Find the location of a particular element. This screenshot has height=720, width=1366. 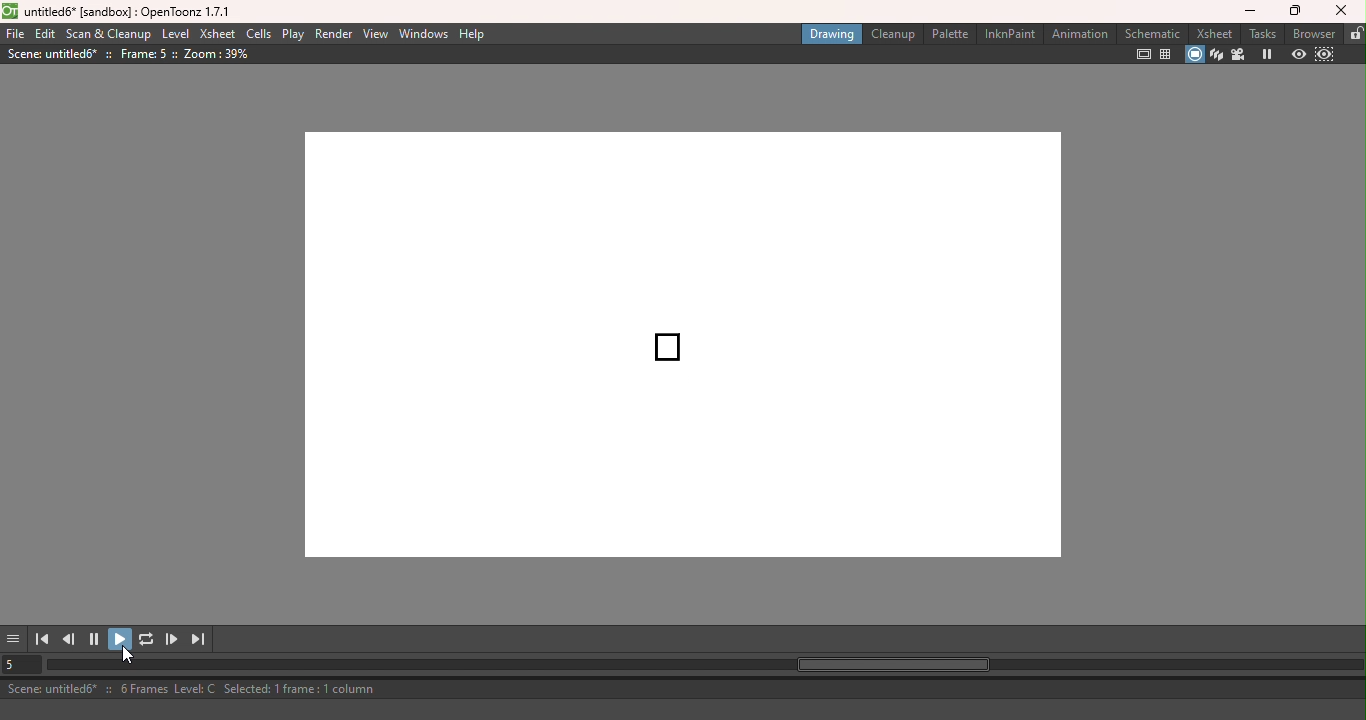

Scene information is located at coordinates (138, 55).